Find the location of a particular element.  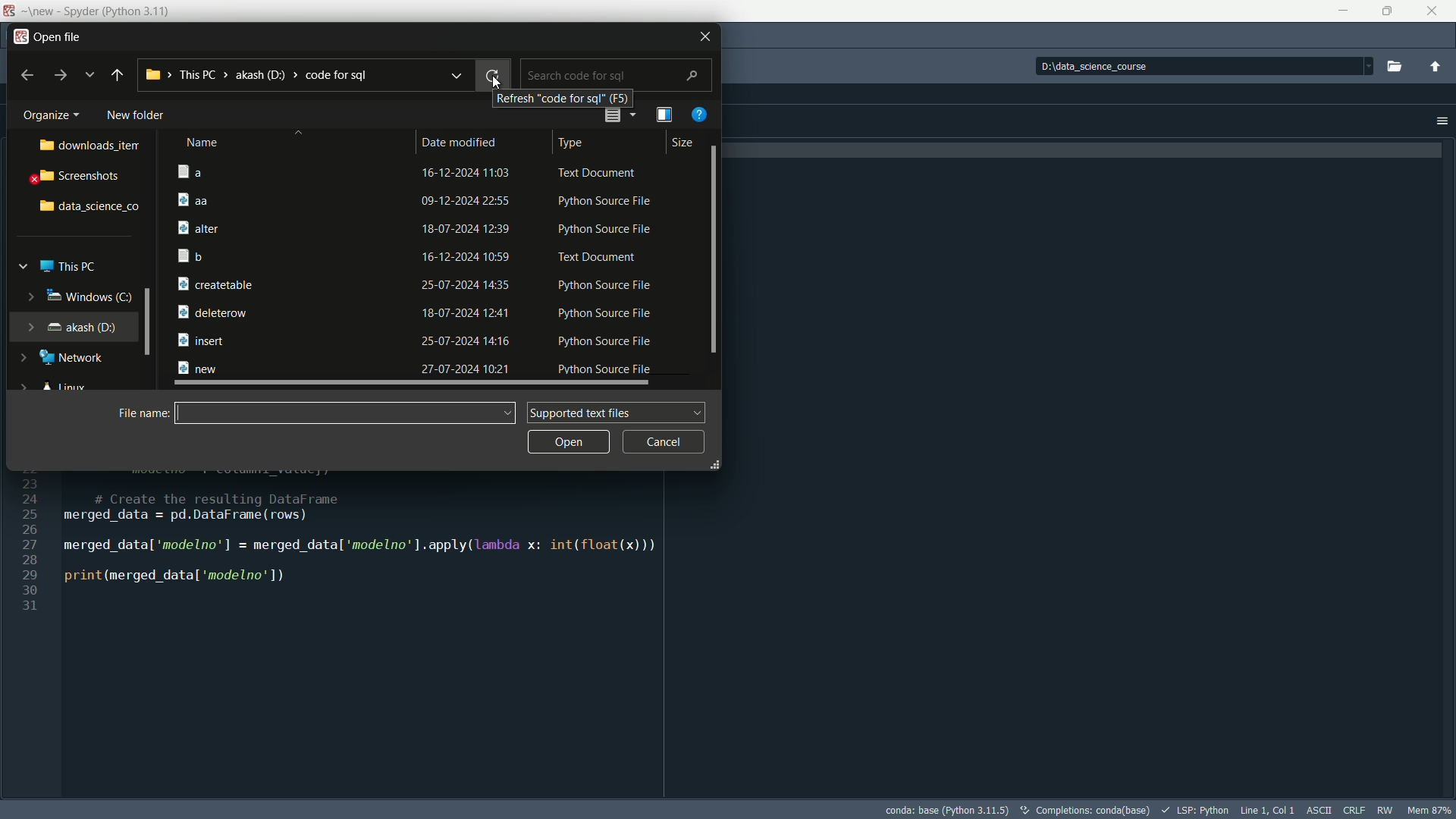

Cursor is located at coordinates (496, 79).